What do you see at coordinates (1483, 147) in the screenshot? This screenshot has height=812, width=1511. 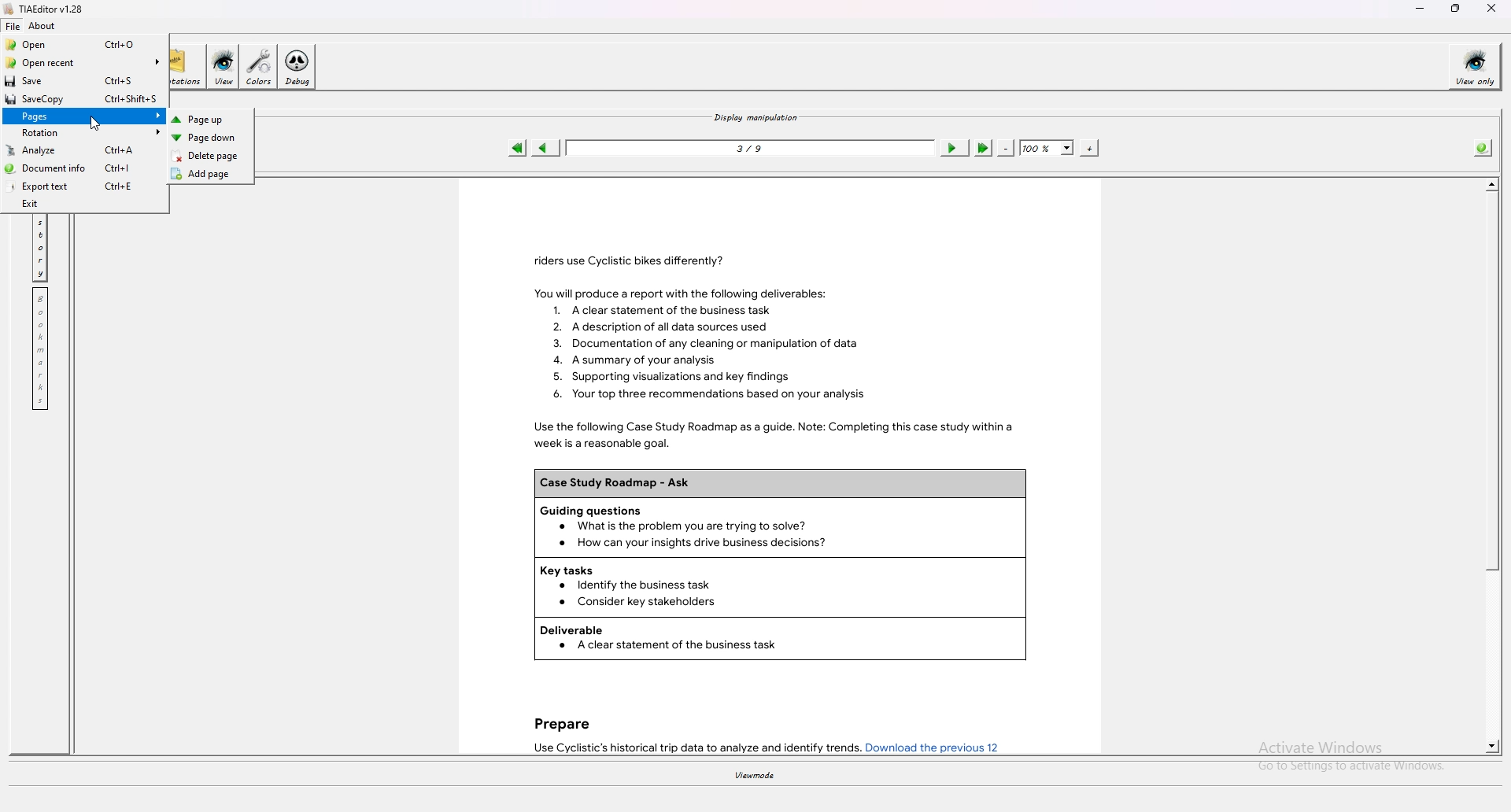 I see `info about pdf` at bounding box center [1483, 147].